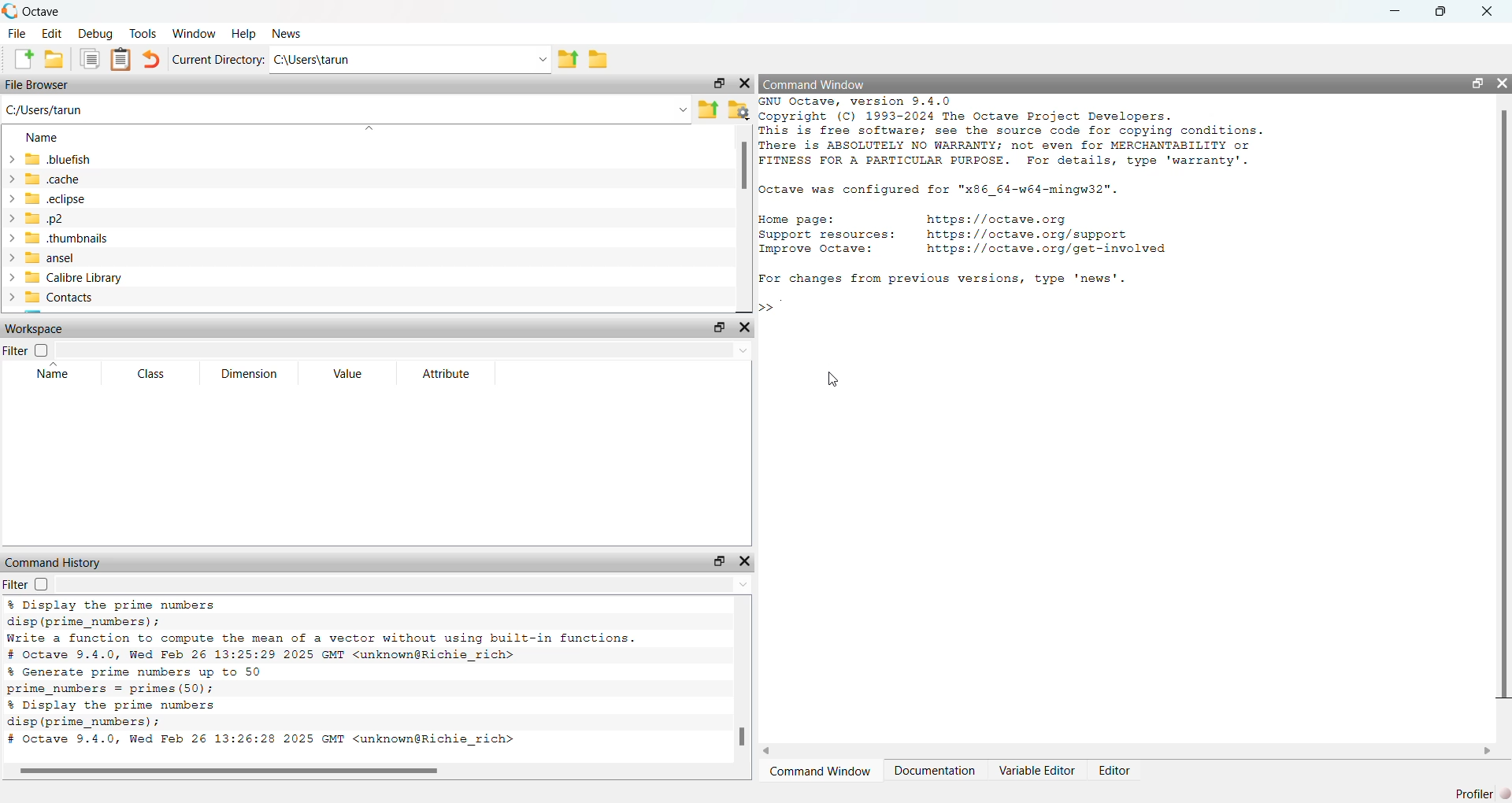 This screenshot has width=1512, height=803. What do you see at coordinates (1443, 11) in the screenshot?
I see `maximise` at bounding box center [1443, 11].